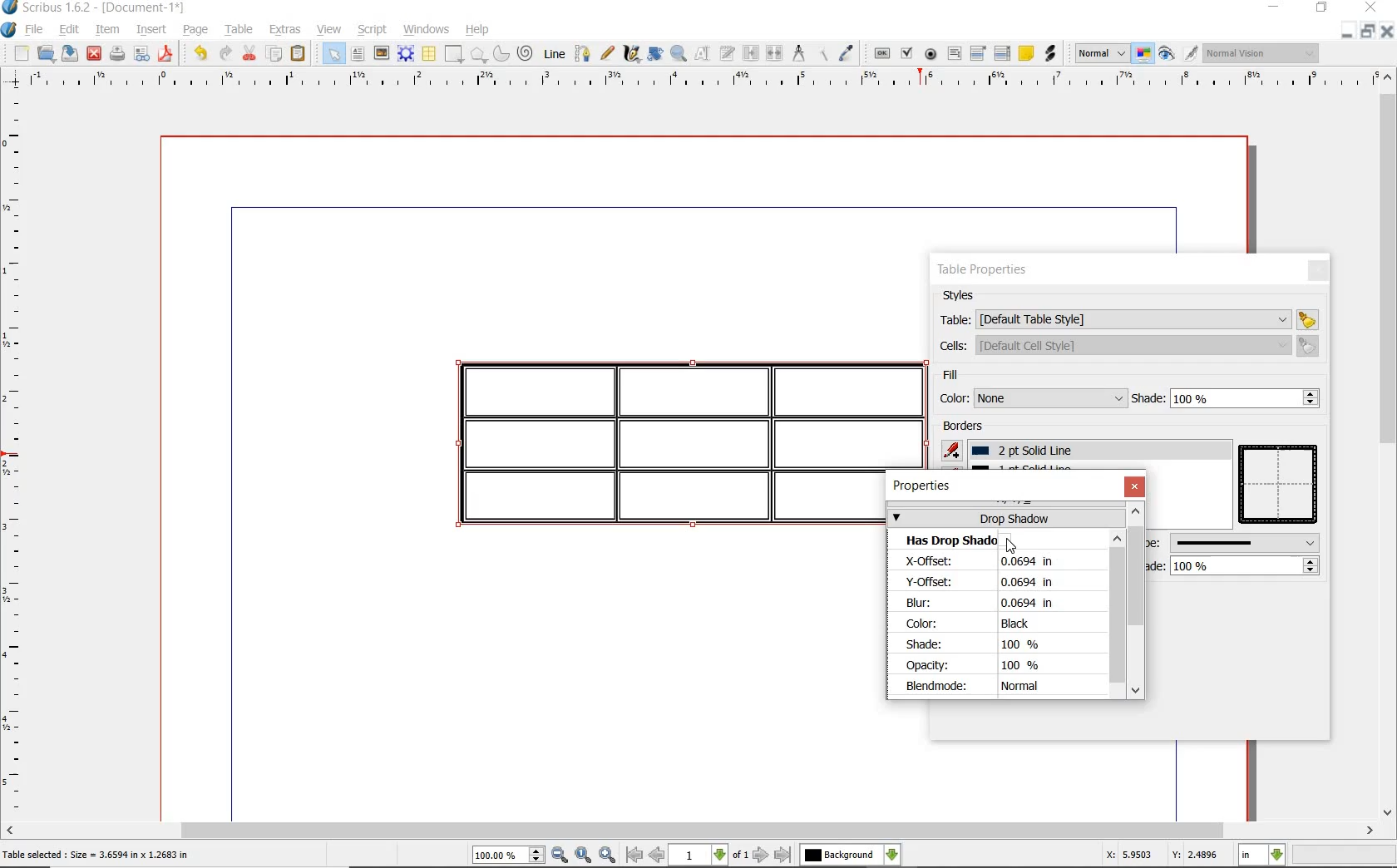  I want to click on shade, so click(1227, 398).